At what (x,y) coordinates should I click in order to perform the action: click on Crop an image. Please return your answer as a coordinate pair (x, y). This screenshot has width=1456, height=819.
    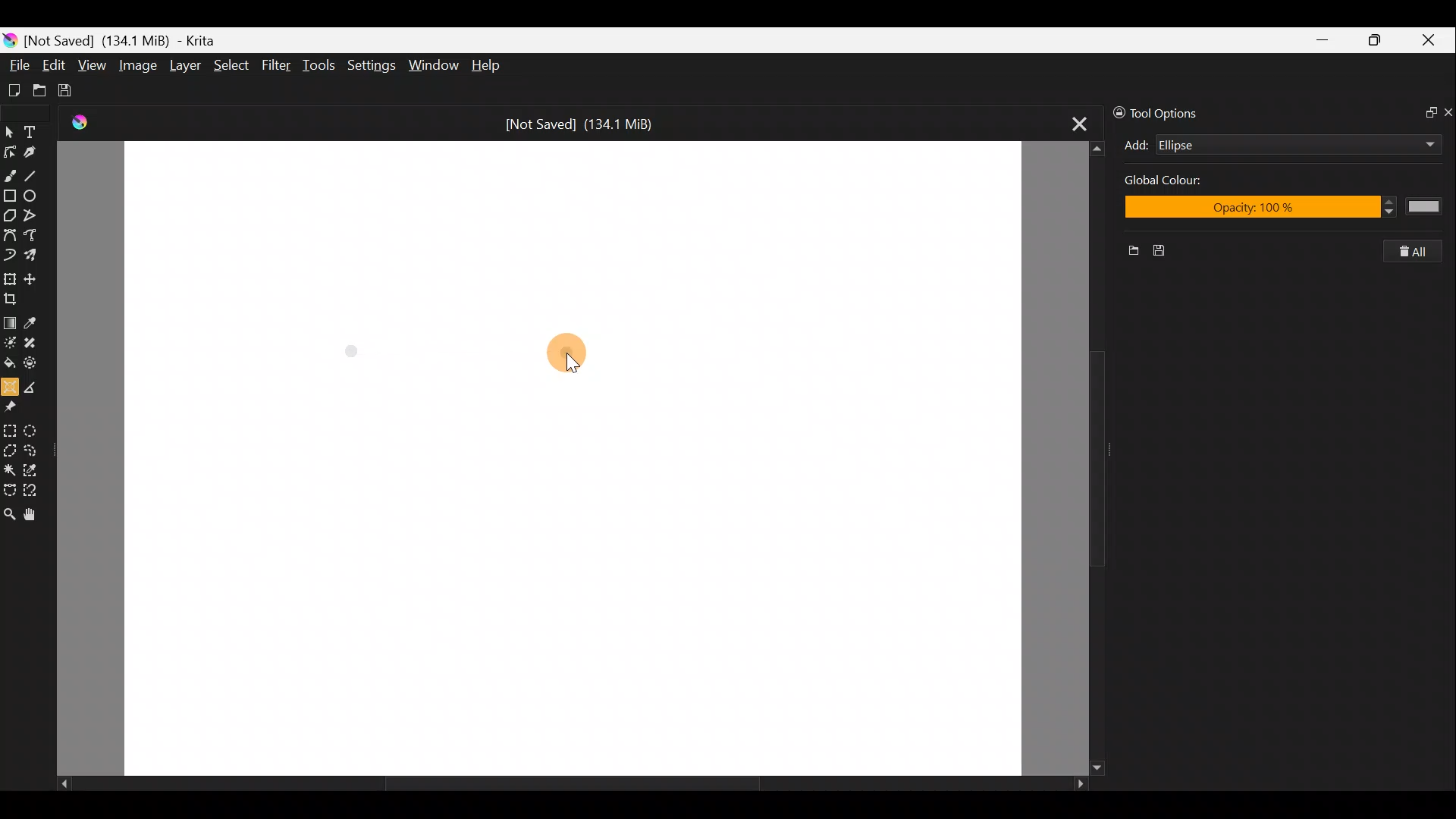
    Looking at the image, I should click on (14, 297).